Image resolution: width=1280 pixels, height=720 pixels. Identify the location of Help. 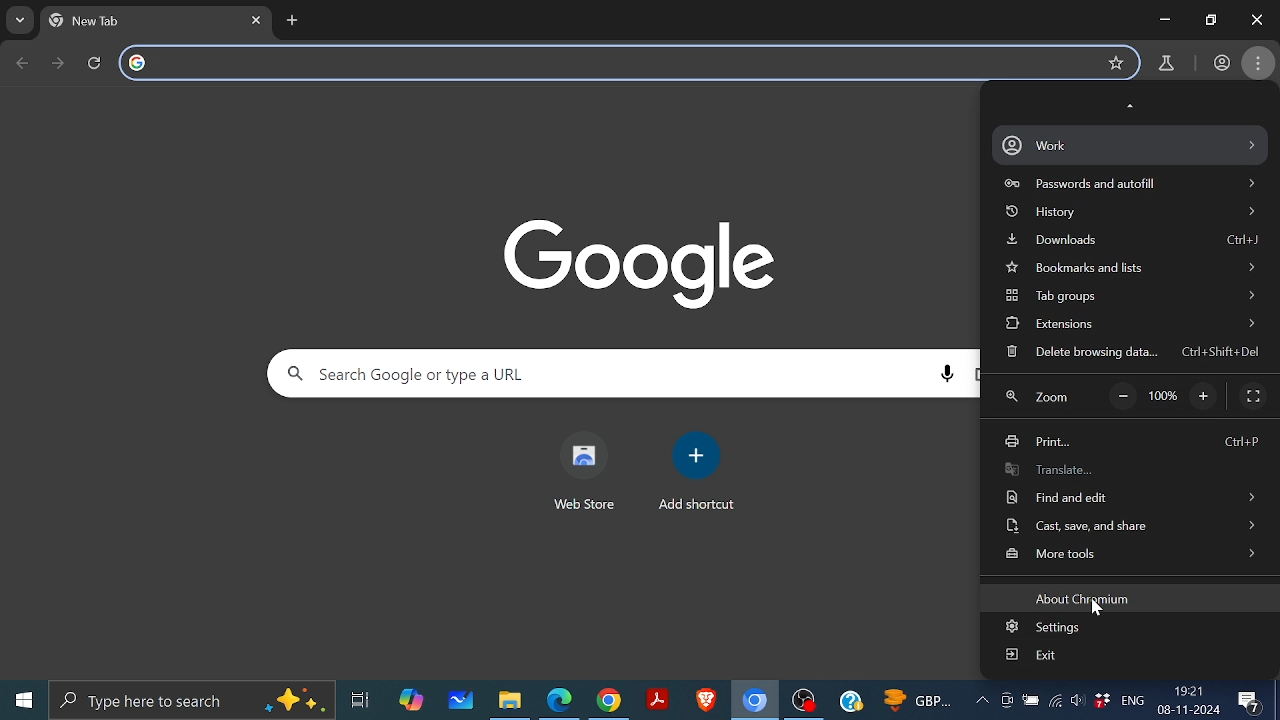
(853, 699).